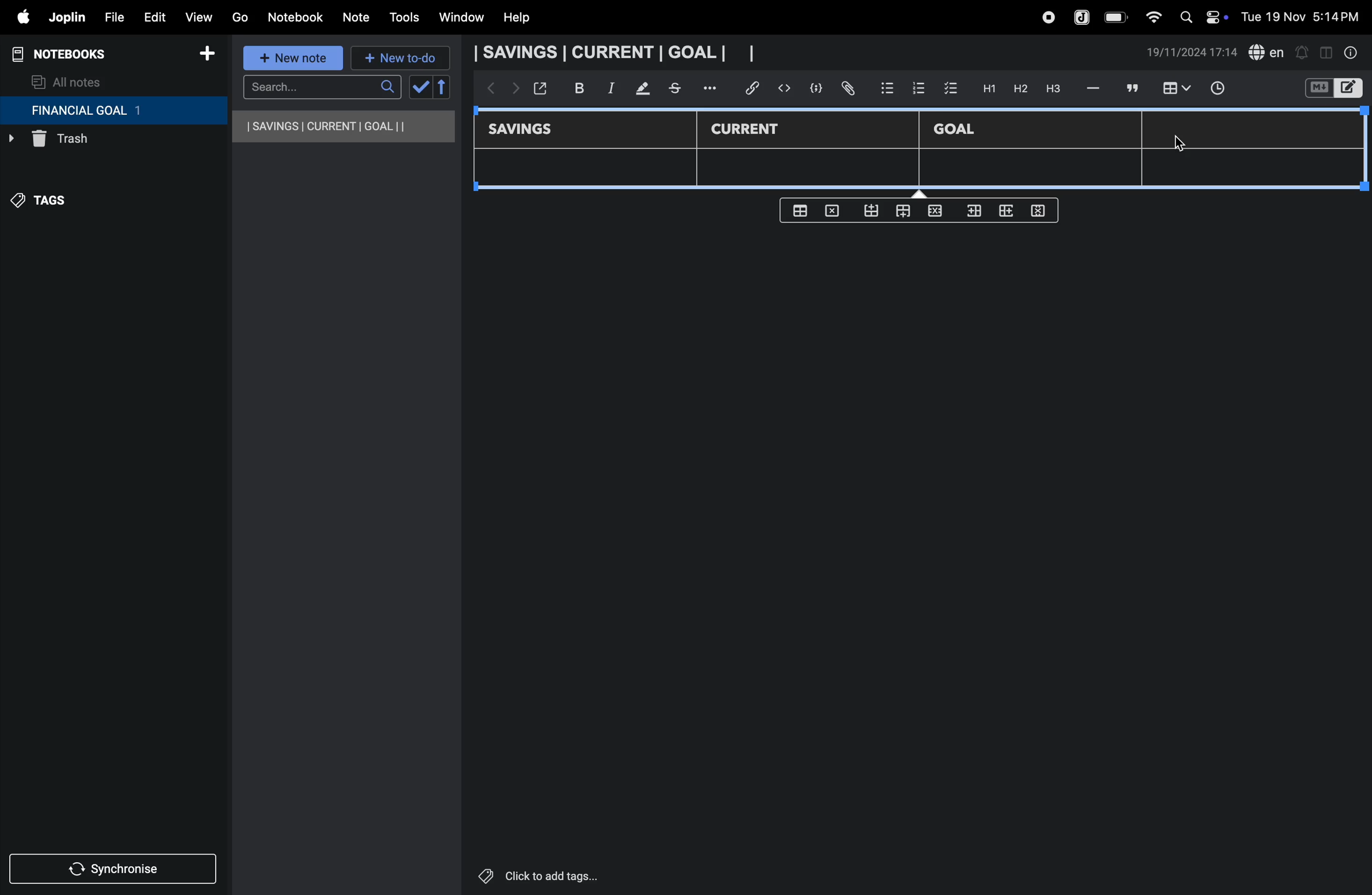 The width and height of the screenshot is (1372, 895). Describe the element at coordinates (1178, 142) in the screenshot. I see `cursor` at that location.